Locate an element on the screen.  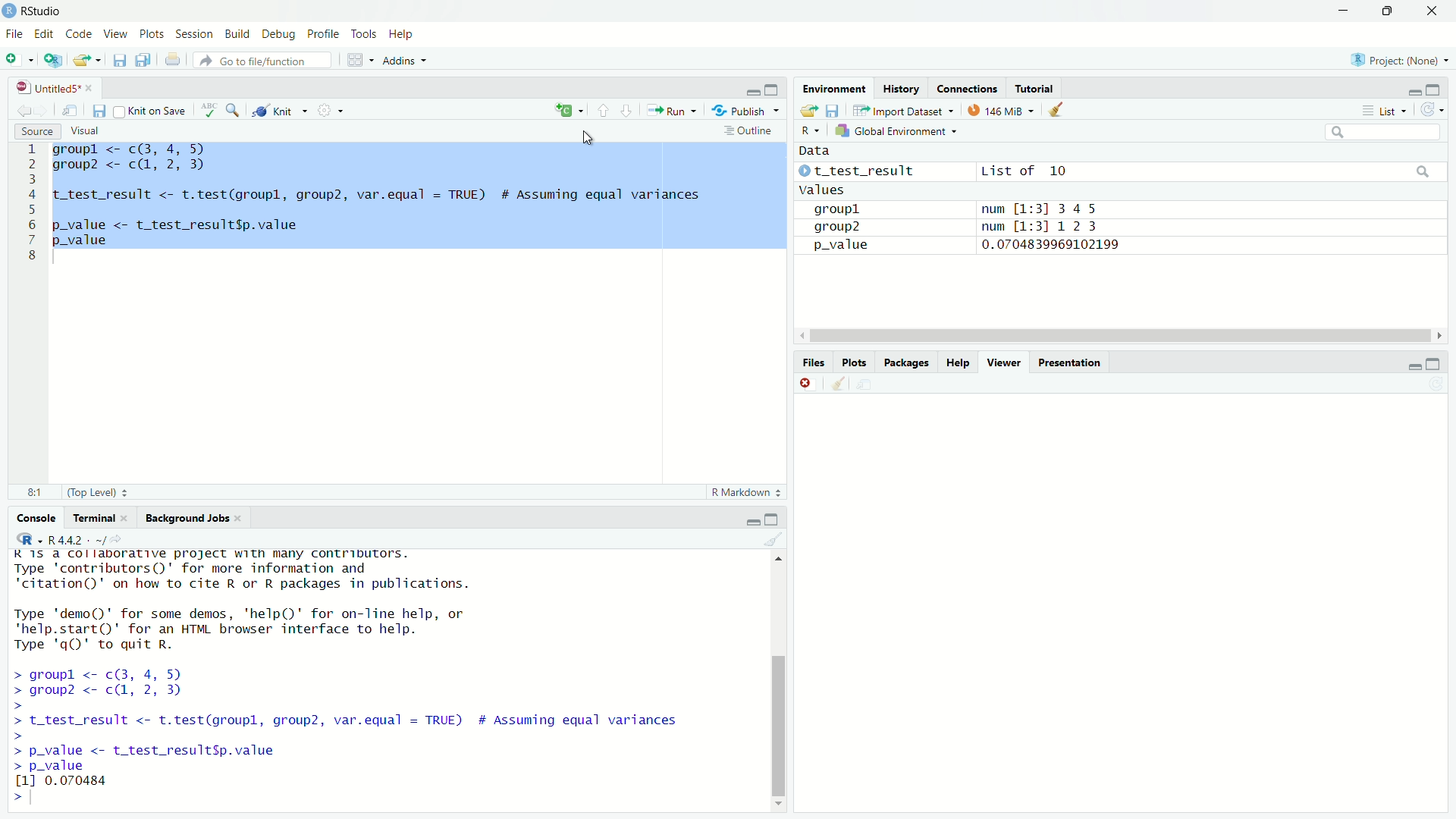
Build is located at coordinates (238, 32).